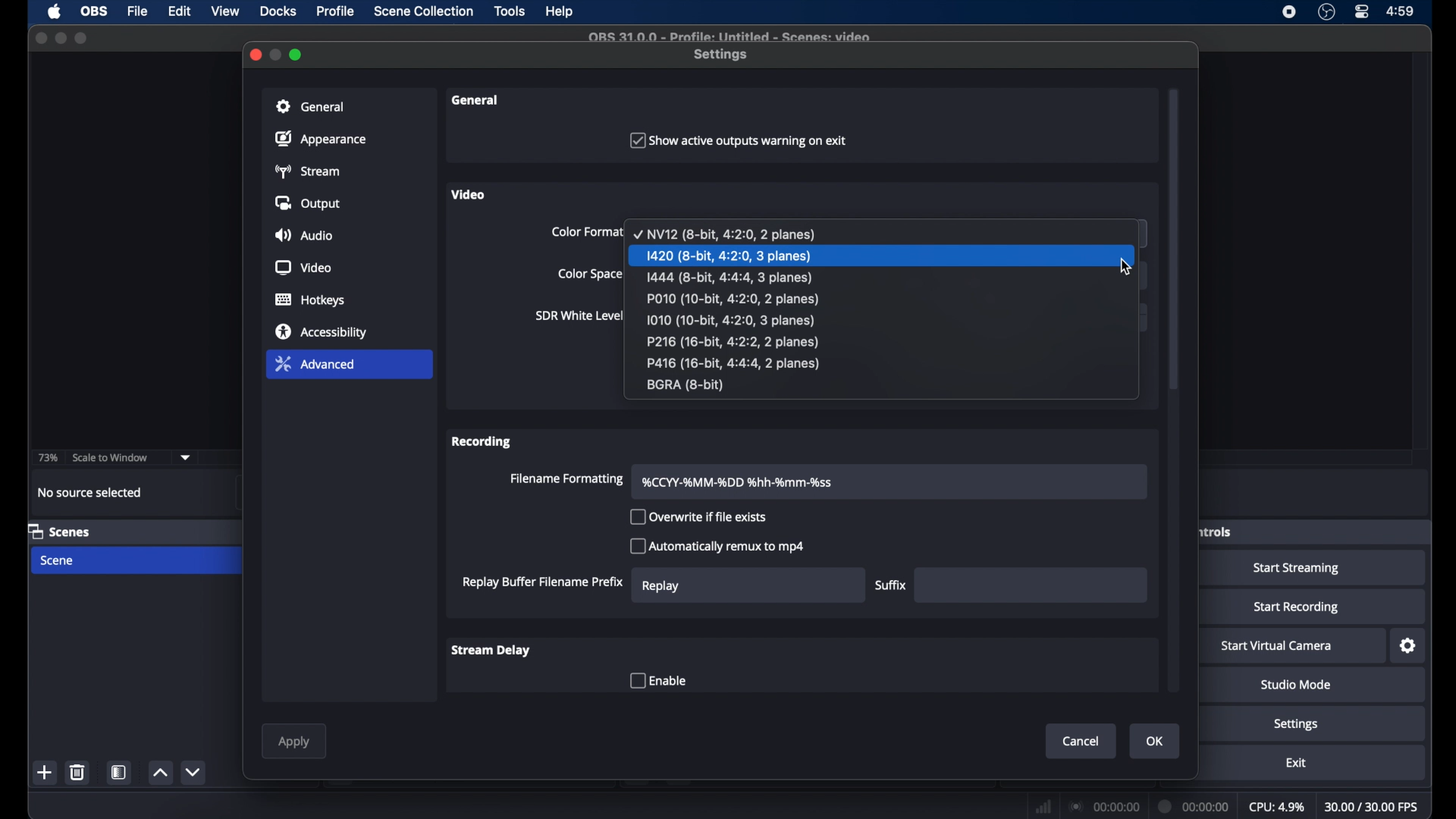  What do you see at coordinates (567, 479) in the screenshot?
I see `filename formatting` at bounding box center [567, 479].